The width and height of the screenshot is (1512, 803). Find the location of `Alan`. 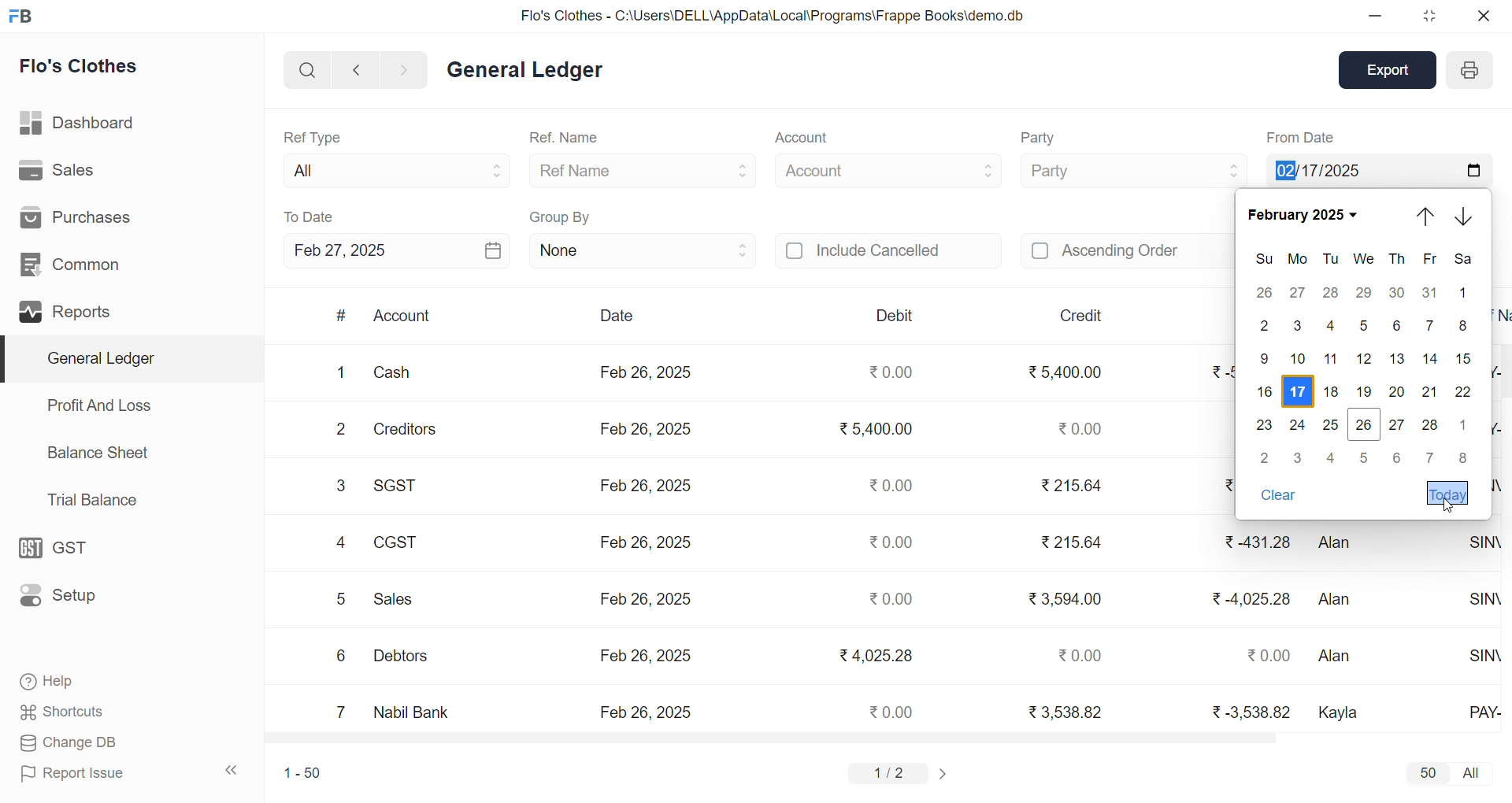

Alan is located at coordinates (1346, 658).